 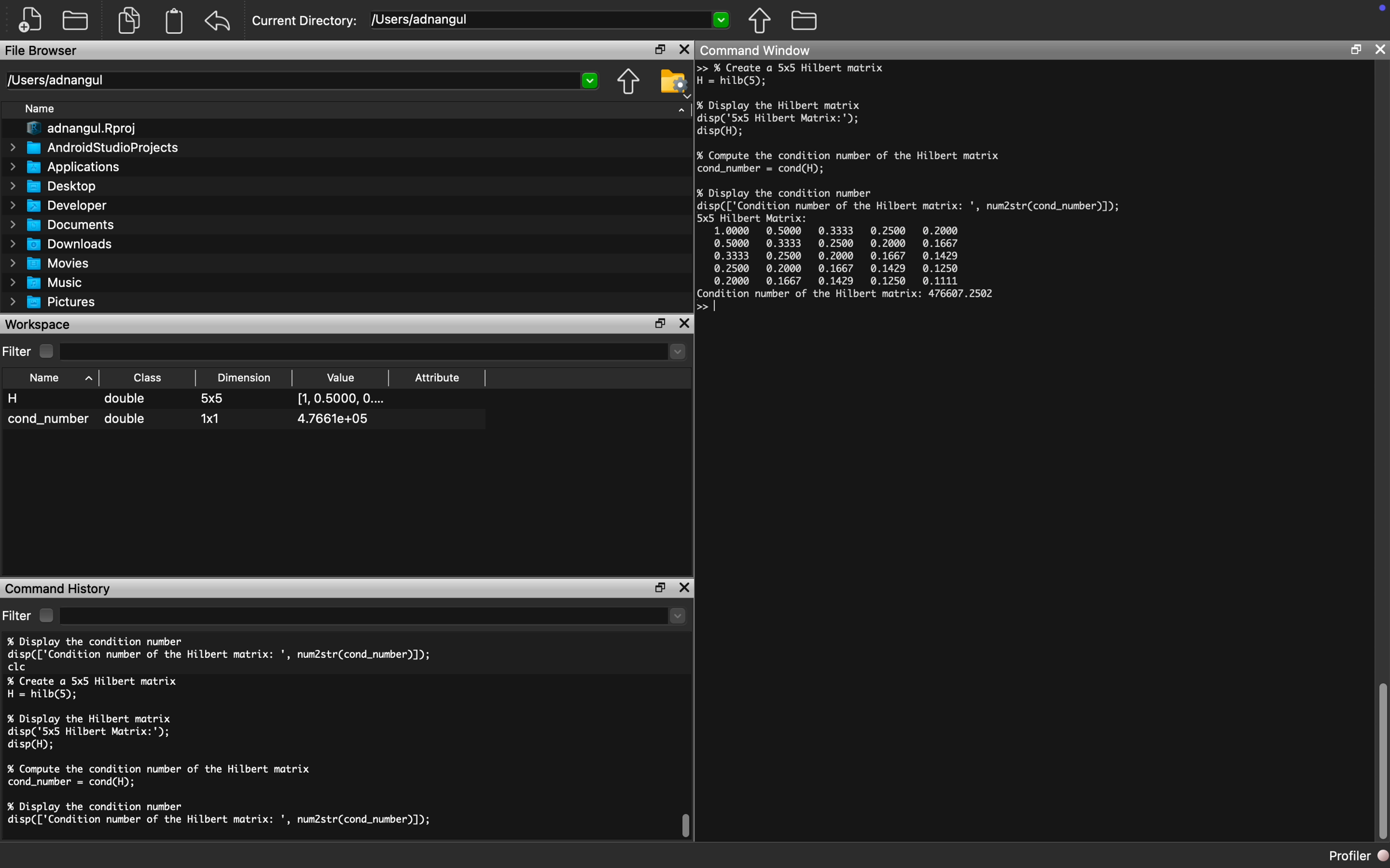 What do you see at coordinates (660, 322) in the screenshot?
I see `Restore Down` at bounding box center [660, 322].